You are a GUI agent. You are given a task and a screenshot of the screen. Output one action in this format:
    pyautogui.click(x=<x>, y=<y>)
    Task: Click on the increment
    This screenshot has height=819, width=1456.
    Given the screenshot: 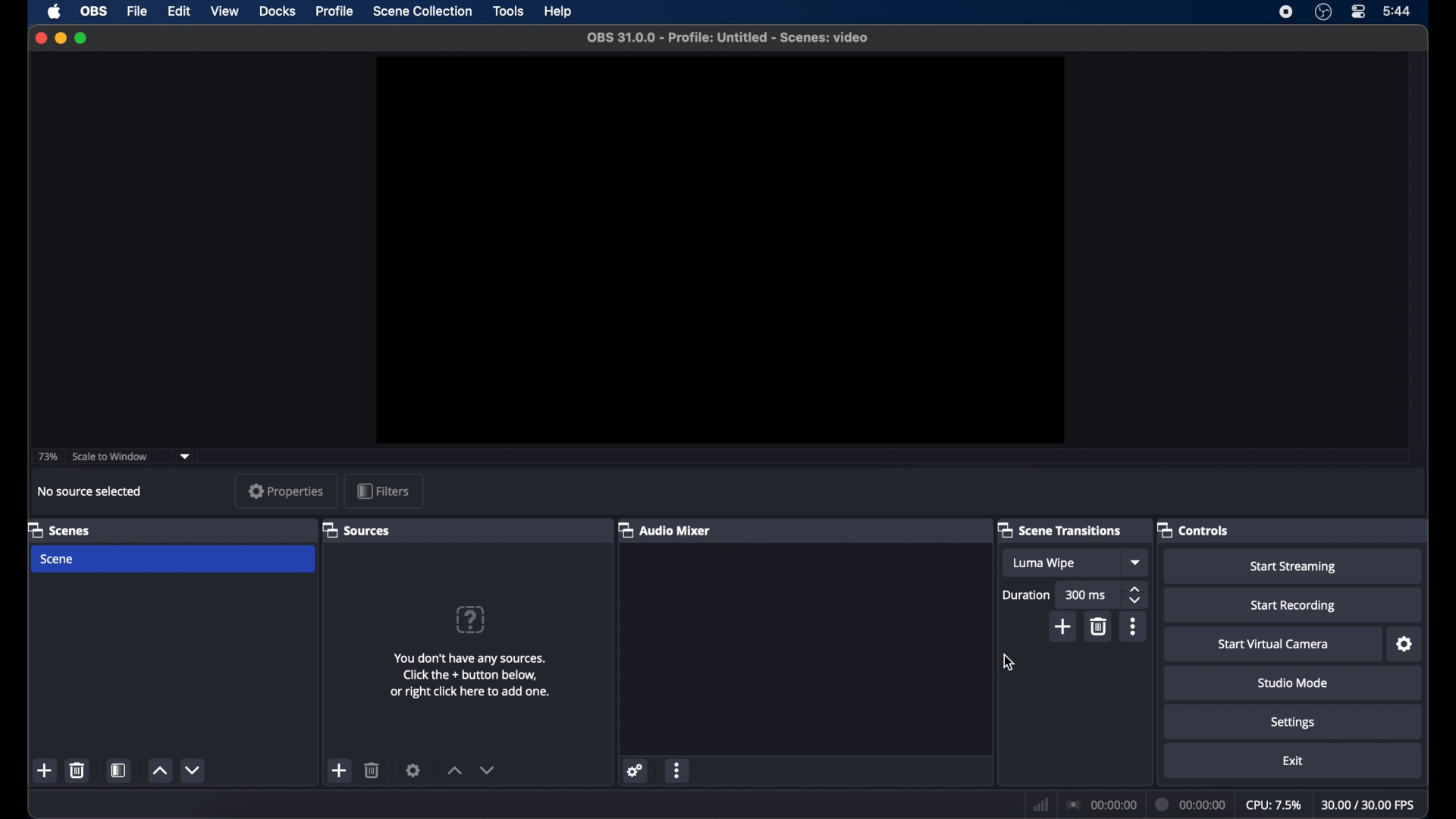 What is the action you would take?
    pyautogui.click(x=455, y=770)
    